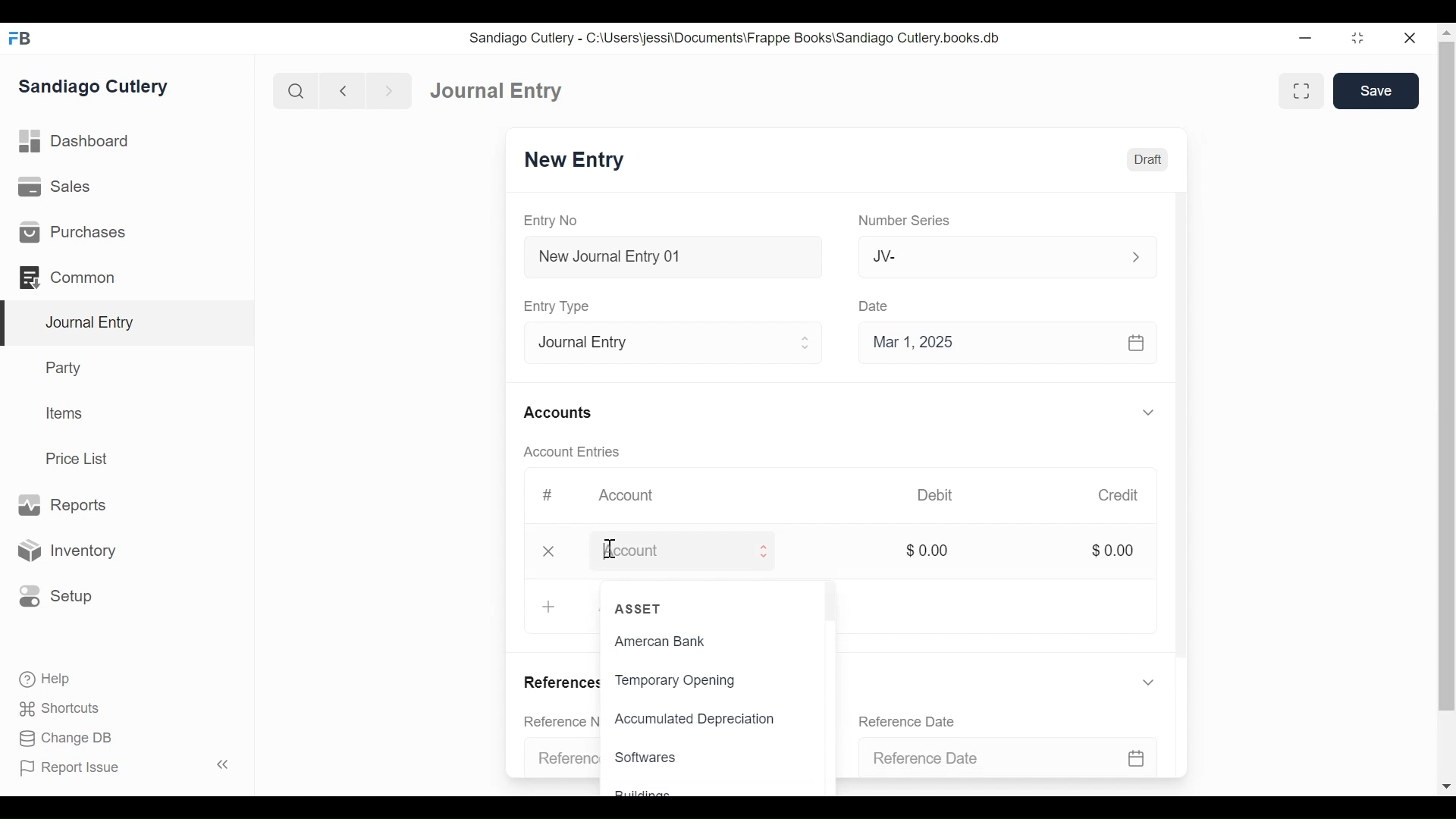  Describe the element at coordinates (678, 256) in the screenshot. I see `New Journal Entry 01` at that location.